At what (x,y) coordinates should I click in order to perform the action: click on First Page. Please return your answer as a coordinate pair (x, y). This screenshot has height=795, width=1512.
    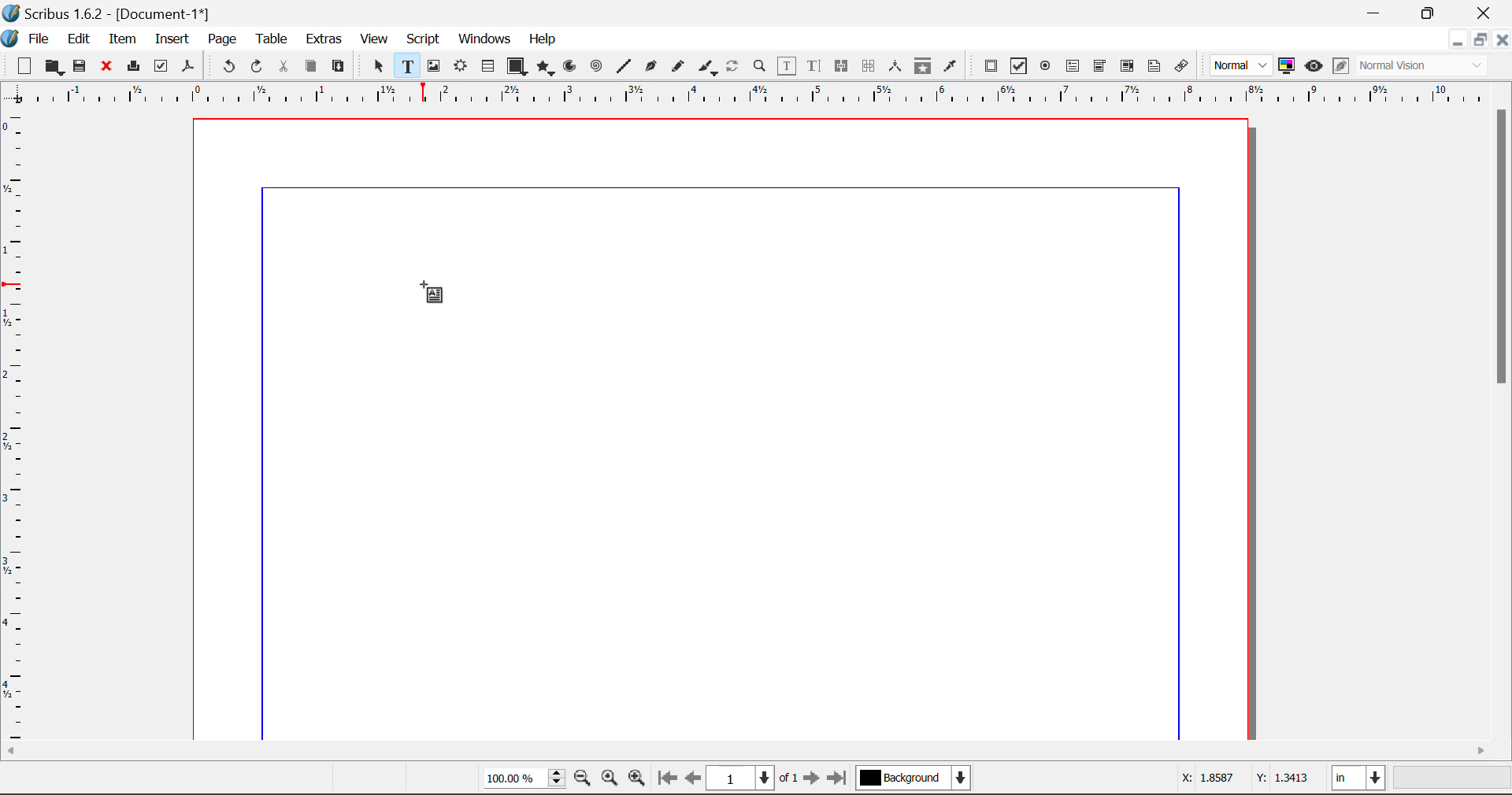
    Looking at the image, I should click on (667, 780).